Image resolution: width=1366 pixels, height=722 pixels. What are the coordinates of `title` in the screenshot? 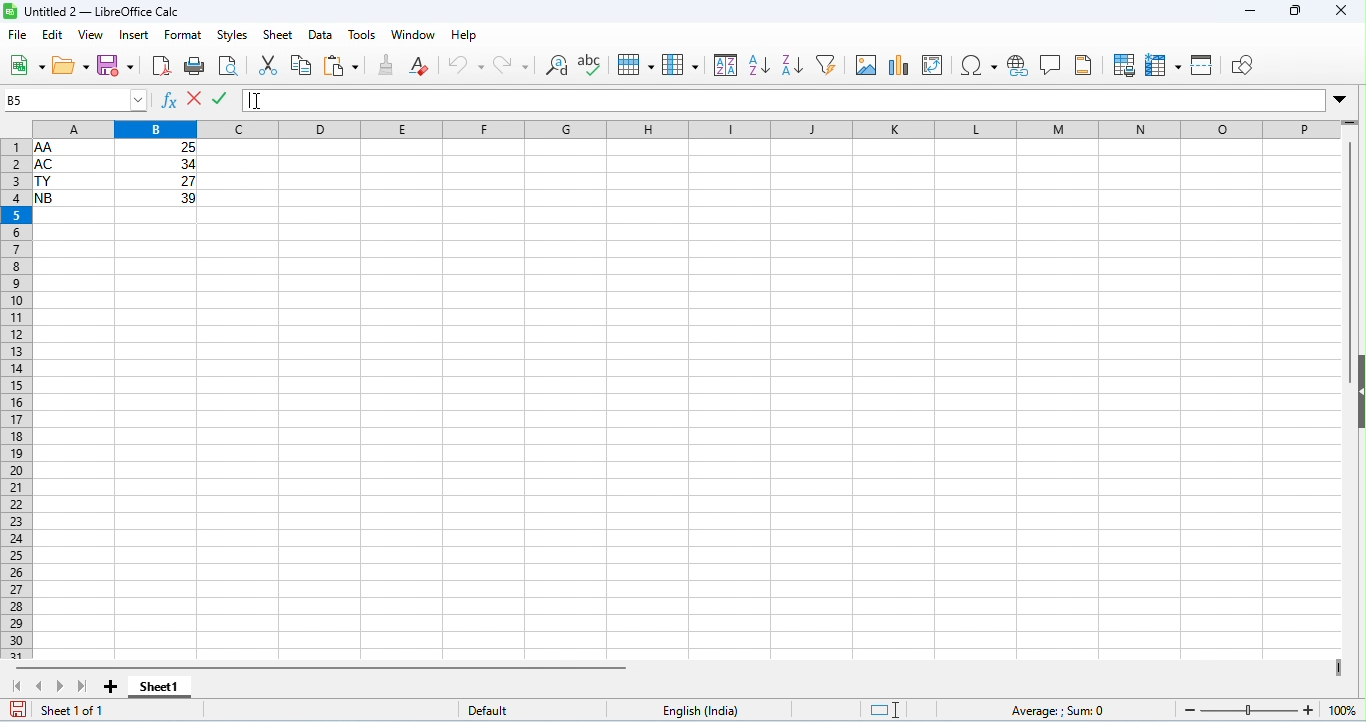 It's located at (92, 11).